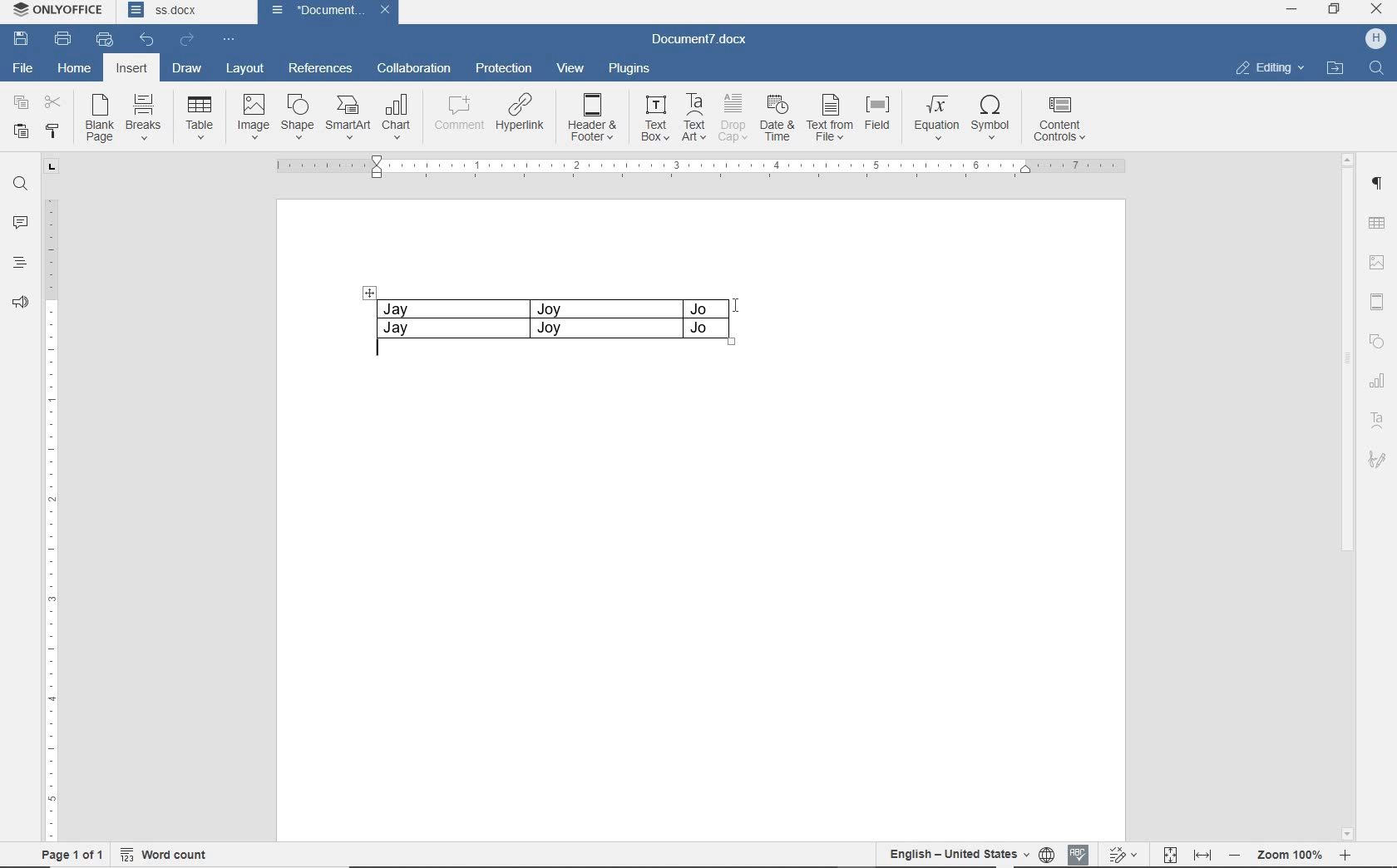  Describe the element at coordinates (990, 118) in the screenshot. I see `SYMBOL` at that location.